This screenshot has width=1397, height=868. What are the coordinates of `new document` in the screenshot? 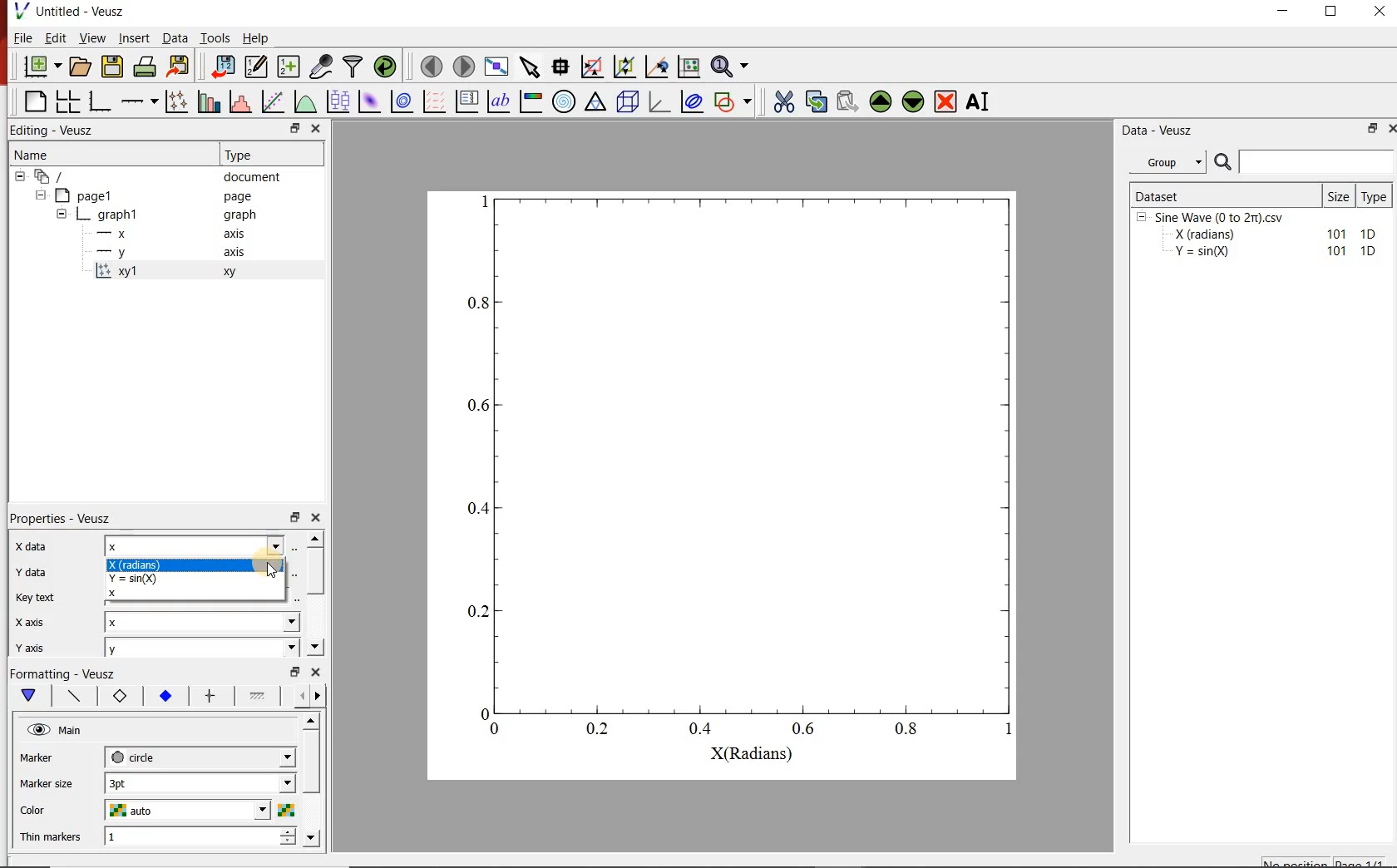 It's located at (42, 67).